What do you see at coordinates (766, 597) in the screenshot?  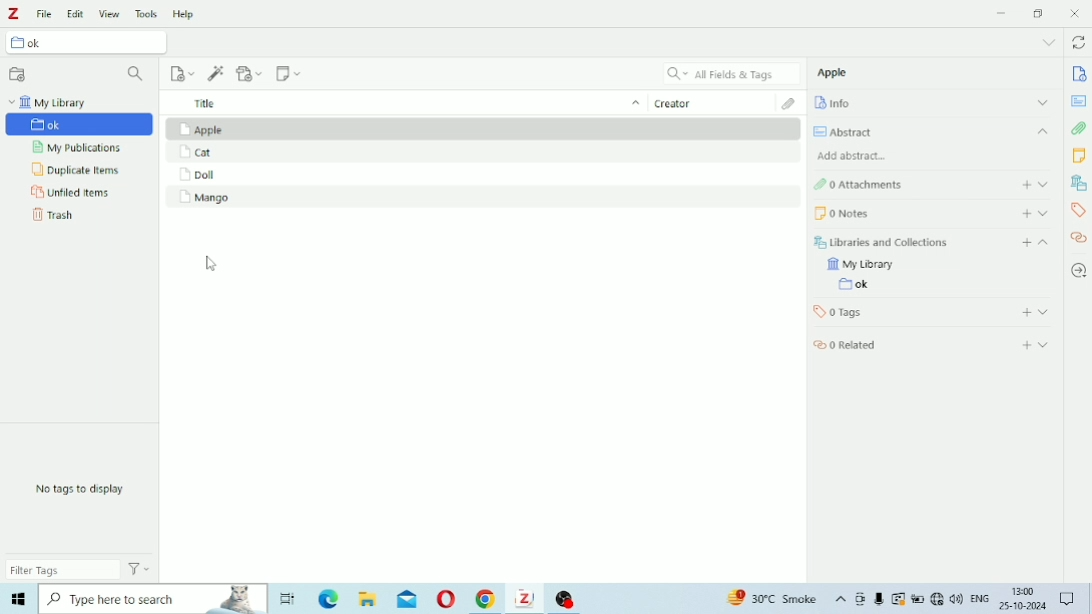 I see `` at bounding box center [766, 597].